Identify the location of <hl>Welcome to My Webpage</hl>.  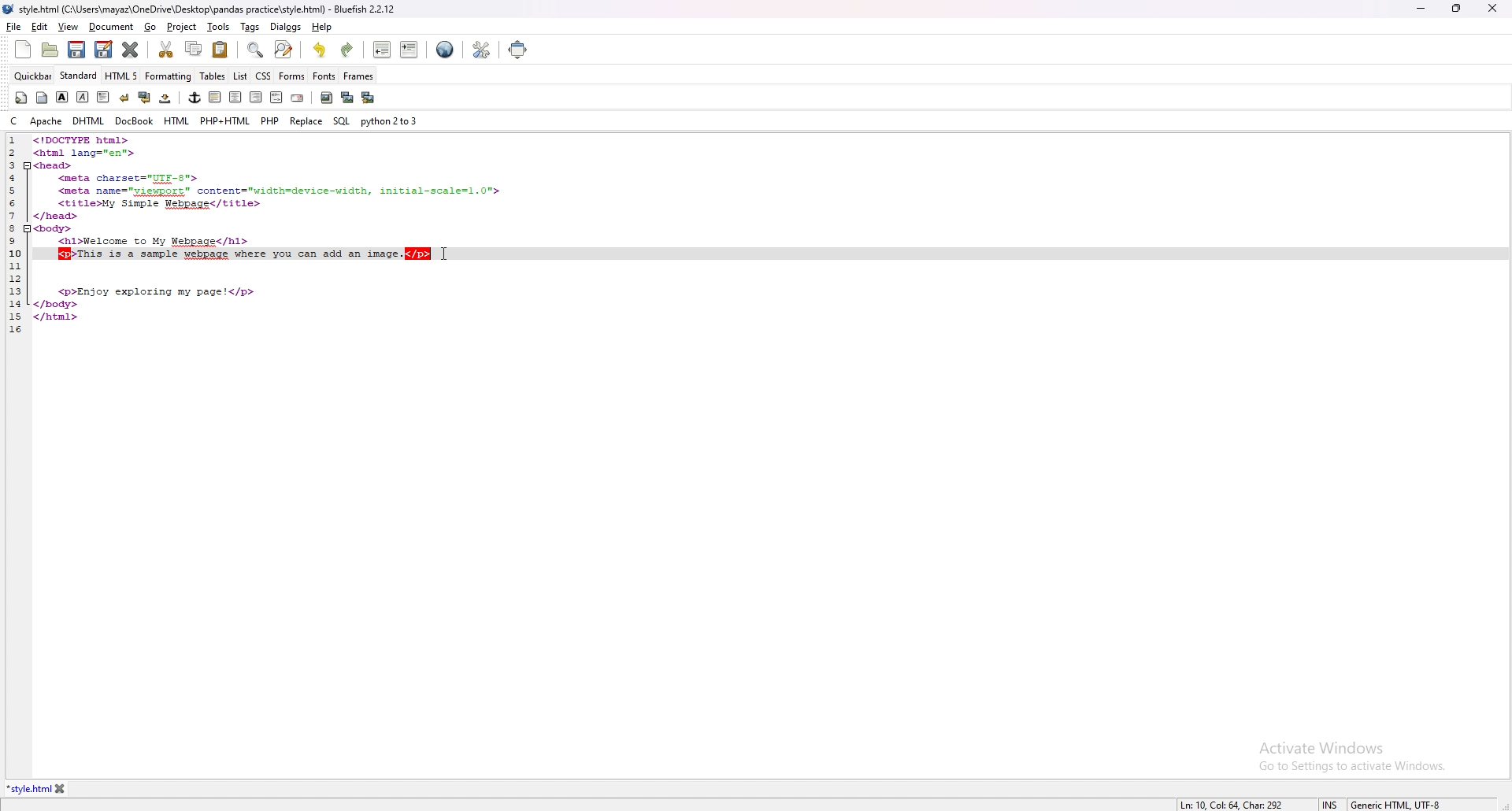
(154, 243).